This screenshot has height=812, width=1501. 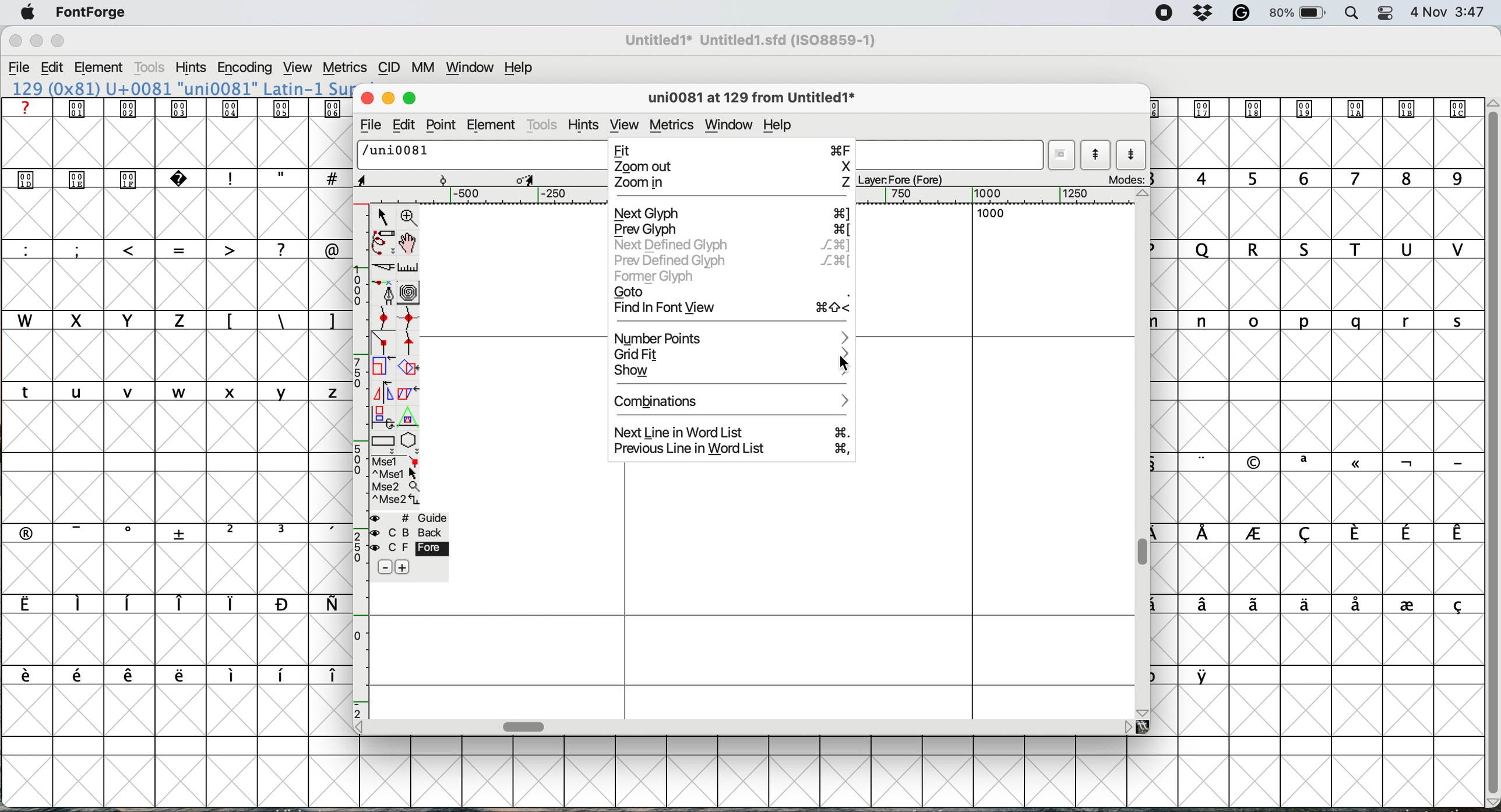 What do you see at coordinates (1352, 14) in the screenshot?
I see `Spotlight Search` at bounding box center [1352, 14].